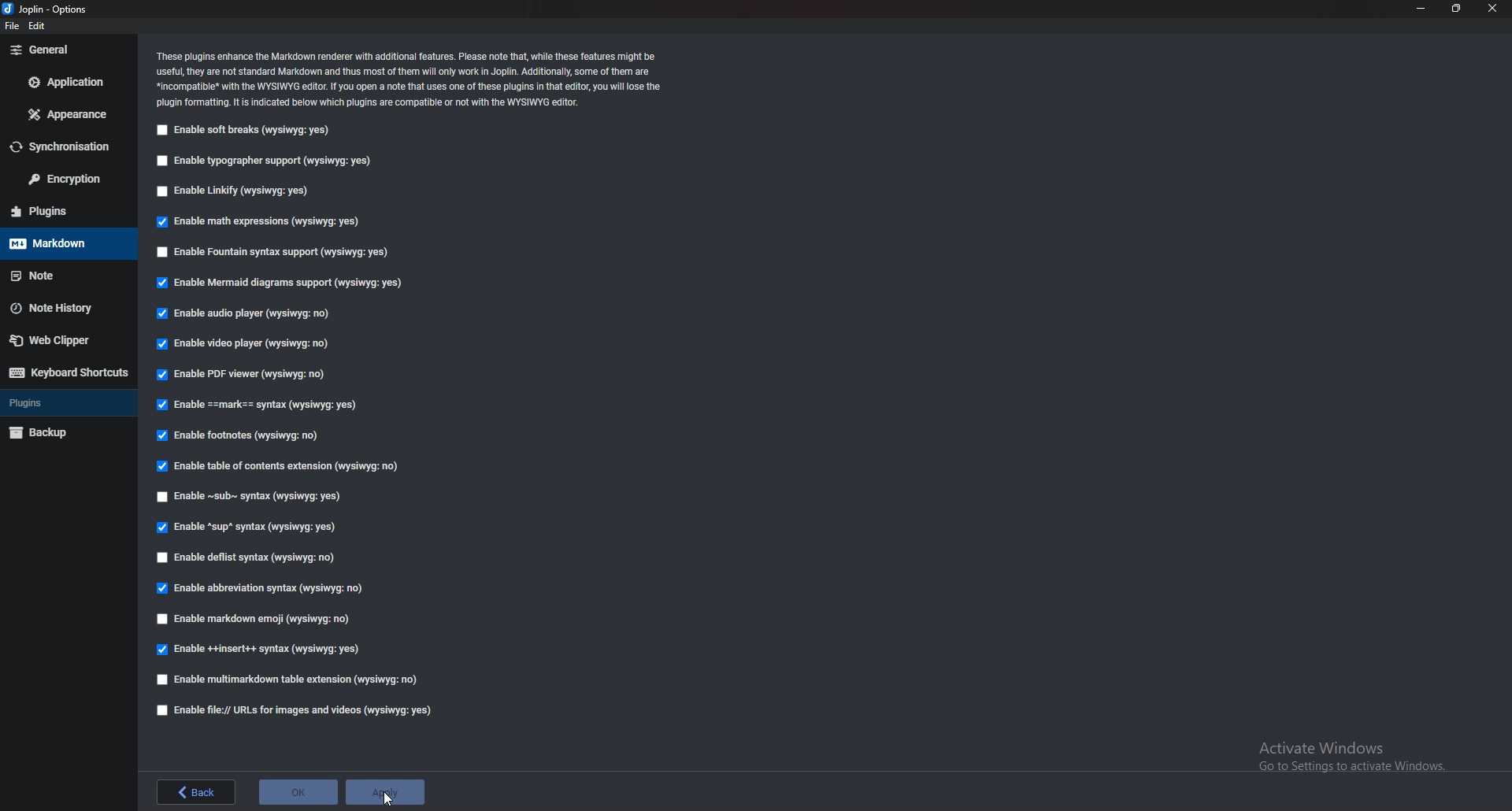  Describe the element at coordinates (66, 243) in the screenshot. I see `Markdown` at that location.